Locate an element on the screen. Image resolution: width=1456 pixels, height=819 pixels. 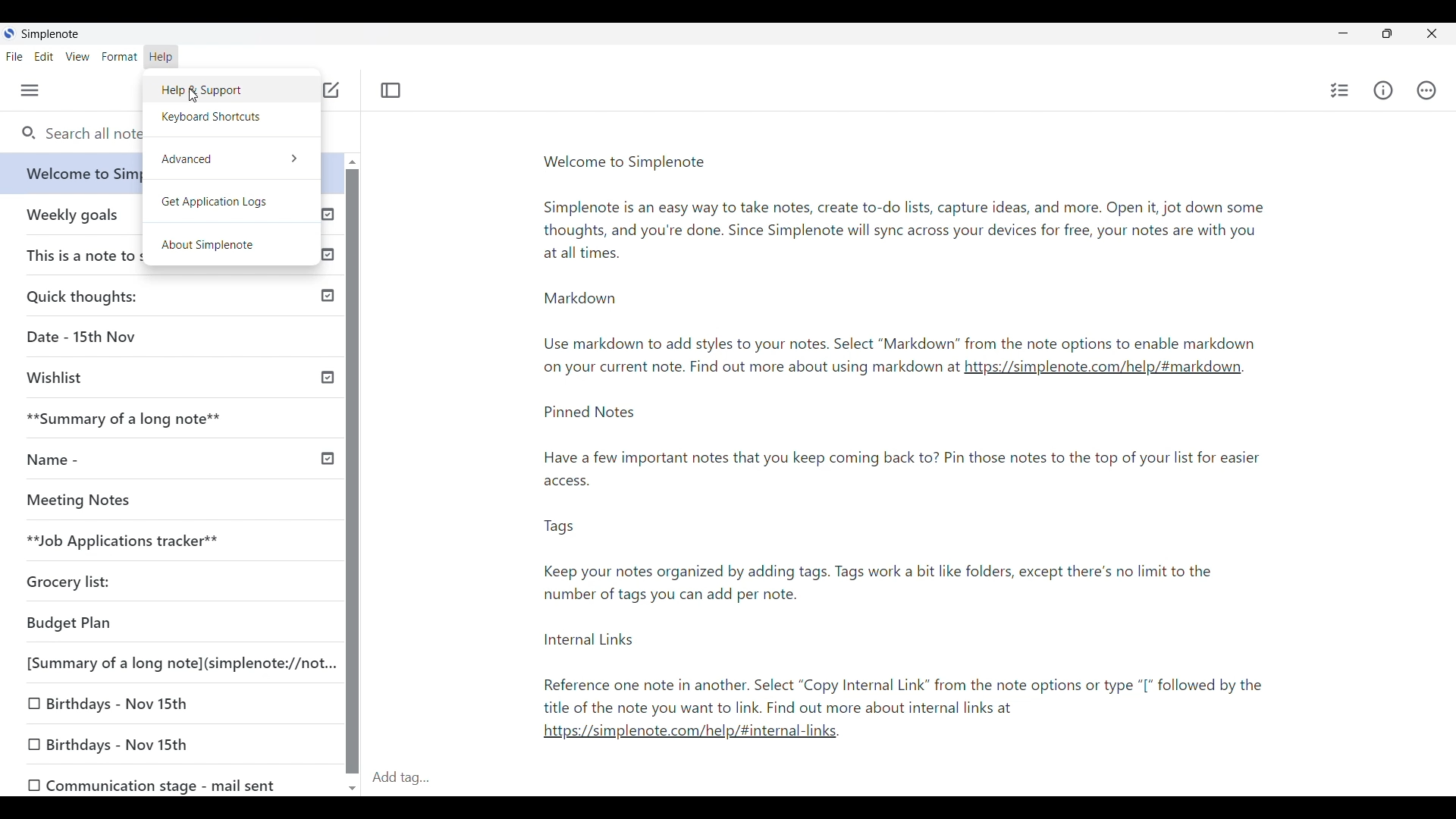
Grocery list: is located at coordinates (64, 582).